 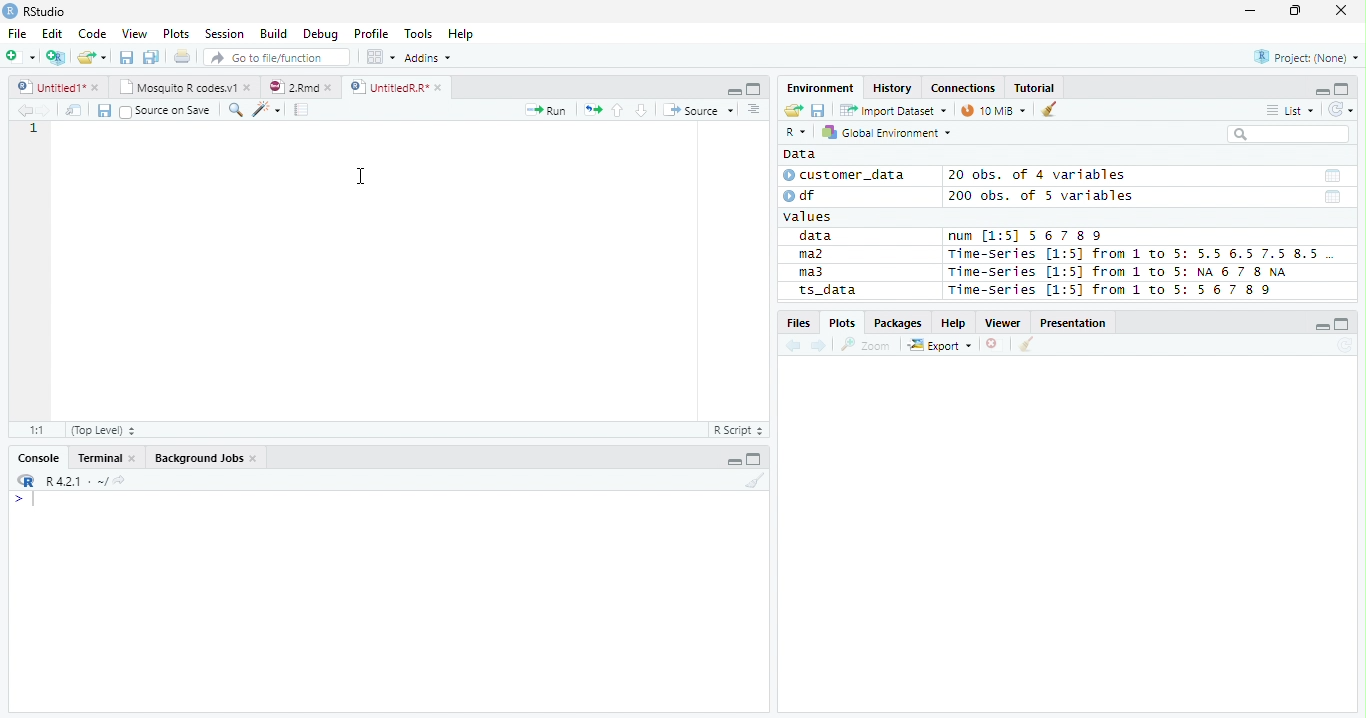 I want to click on Build, so click(x=276, y=35).